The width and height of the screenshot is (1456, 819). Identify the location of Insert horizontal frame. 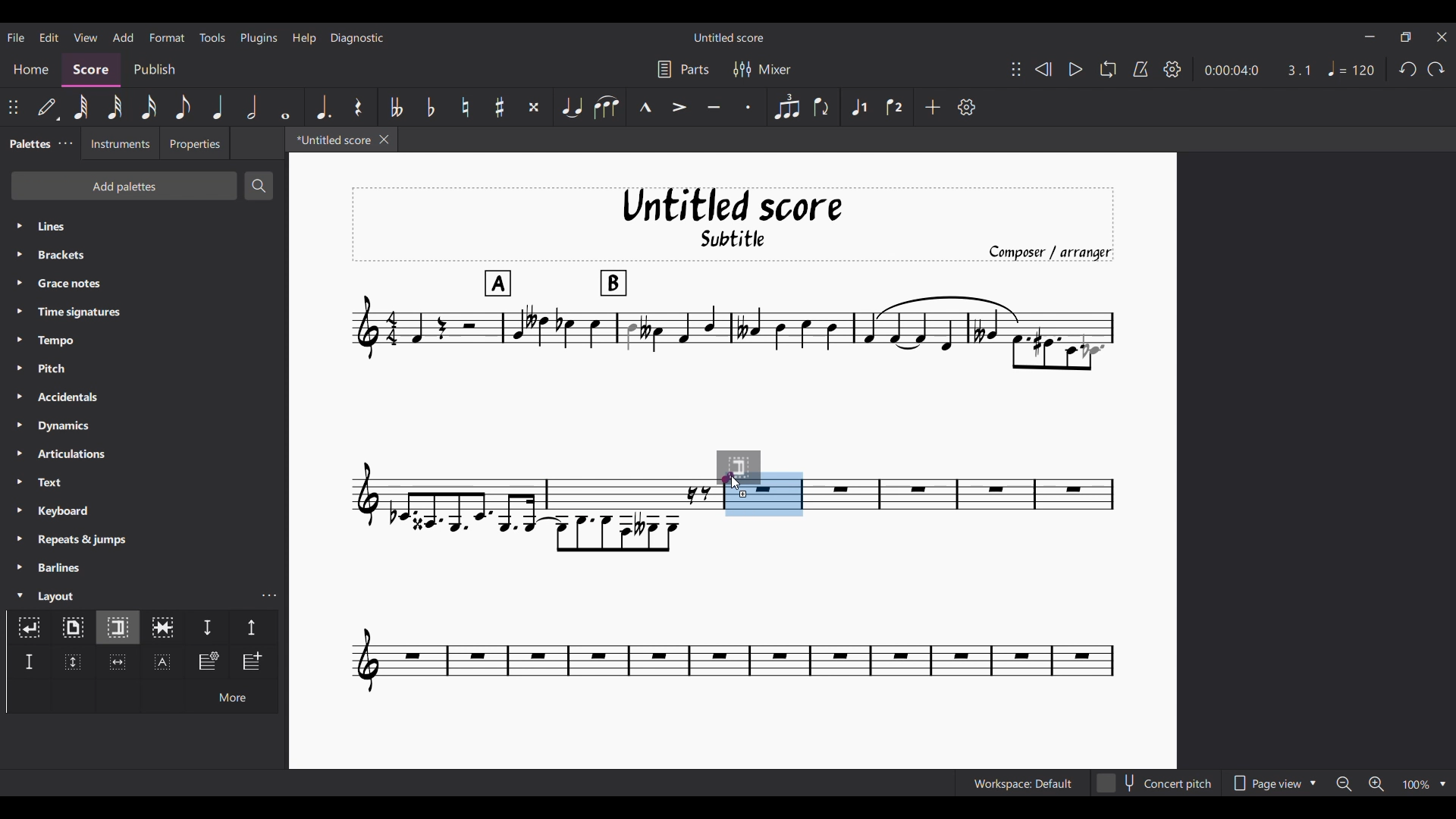
(118, 662).